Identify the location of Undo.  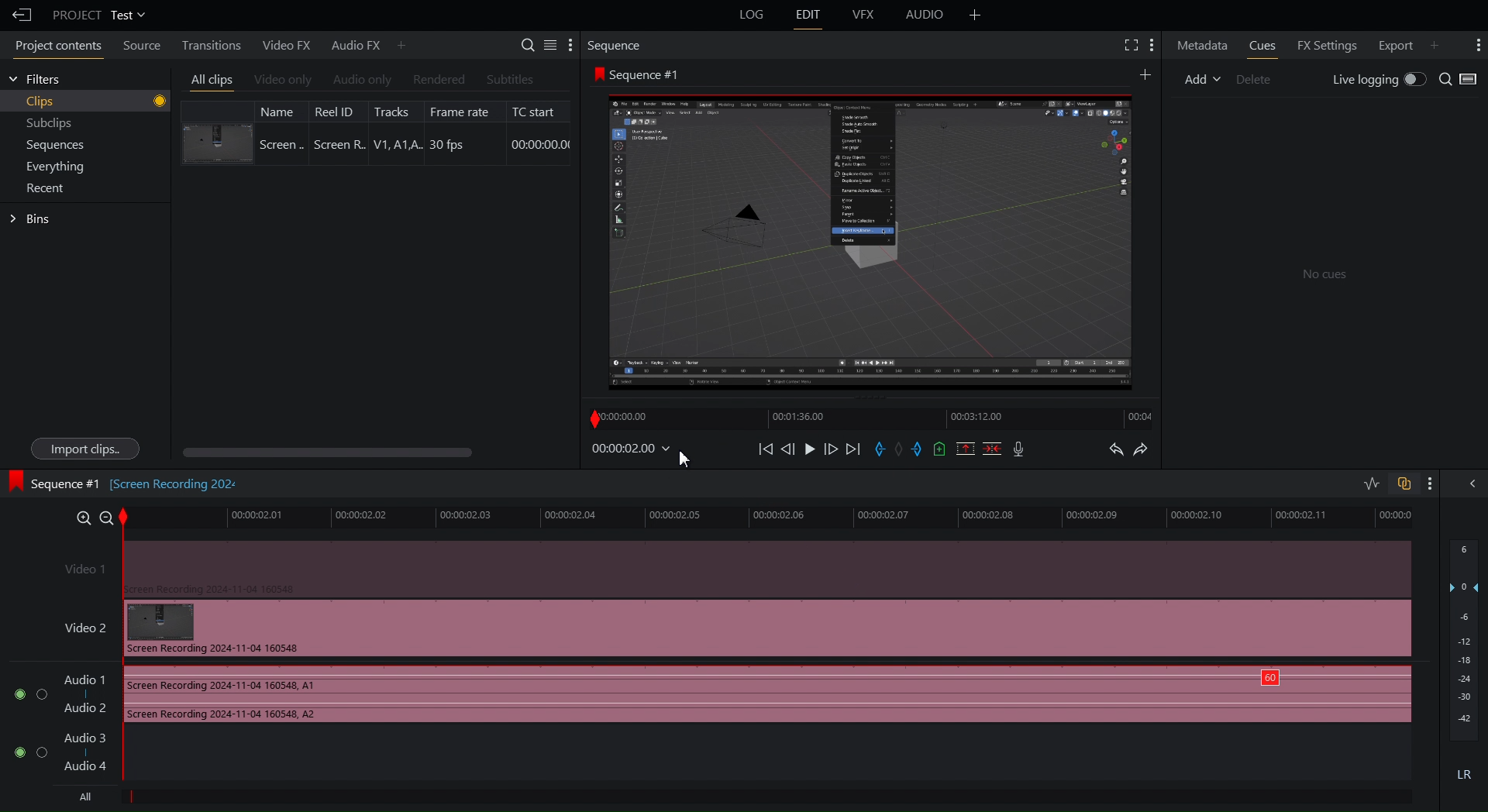
(1115, 451).